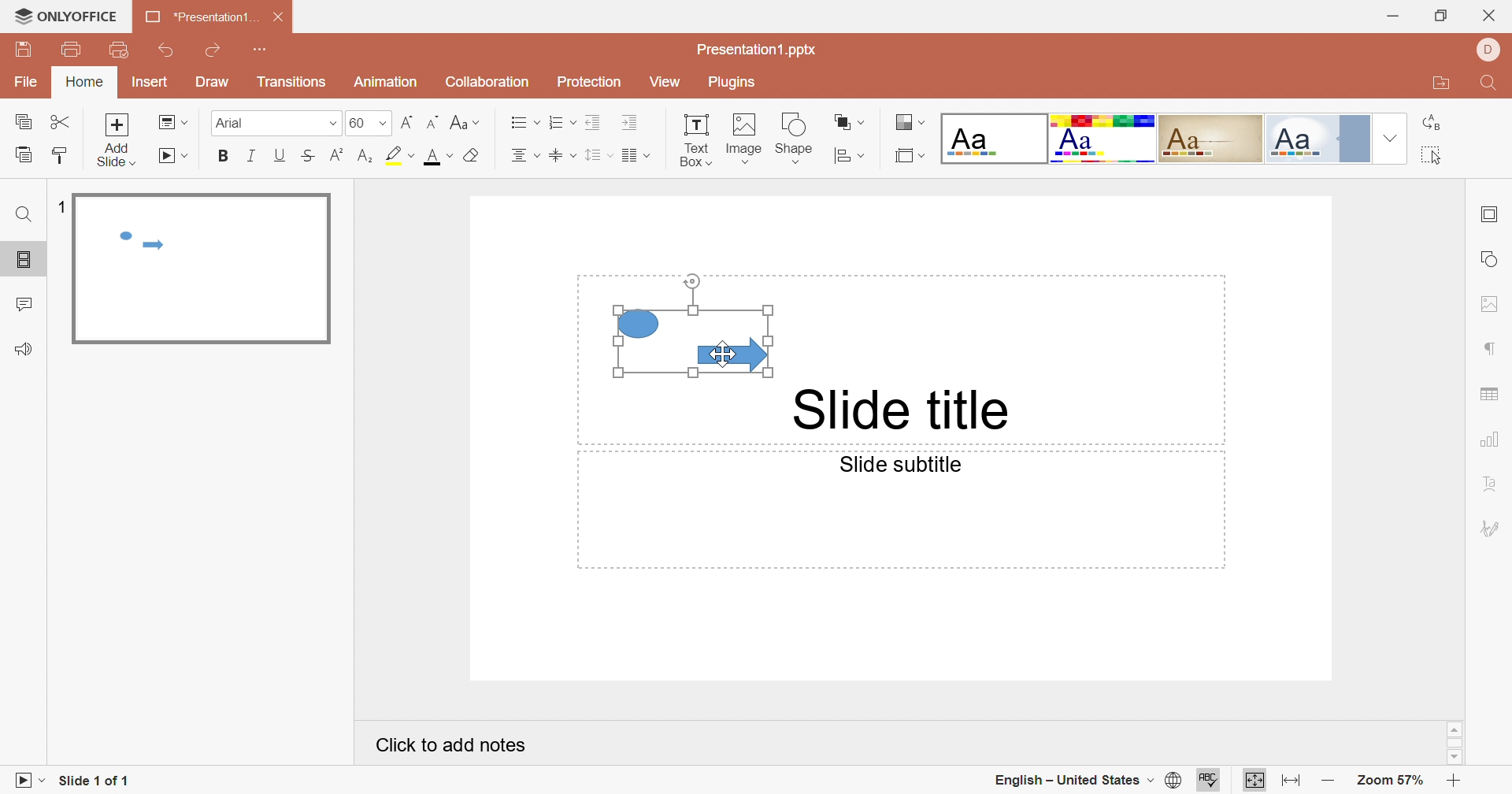 The width and height of the screenshot is (1512, 794). Describe the element at coordinates (1490, 446) in the screenshot. I see `Chart settings` at that location.